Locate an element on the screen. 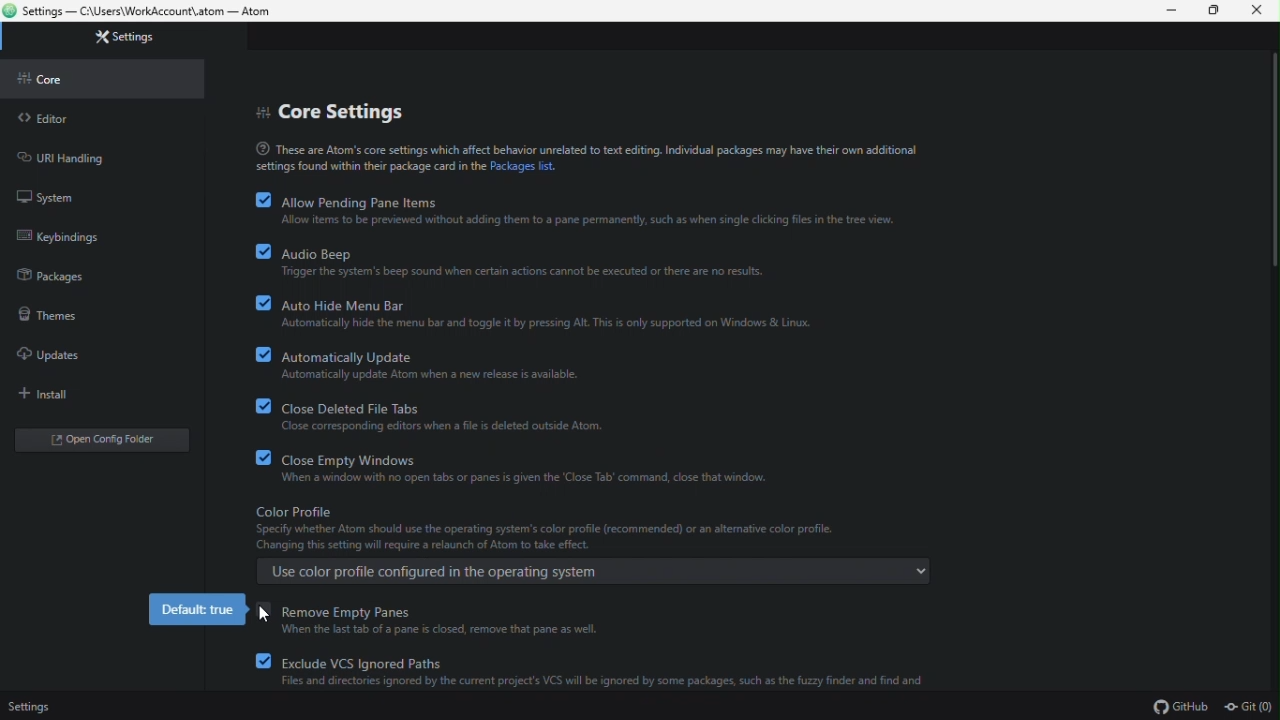 The image size is (1280, 720). editor is located at coordinates (46, 119).